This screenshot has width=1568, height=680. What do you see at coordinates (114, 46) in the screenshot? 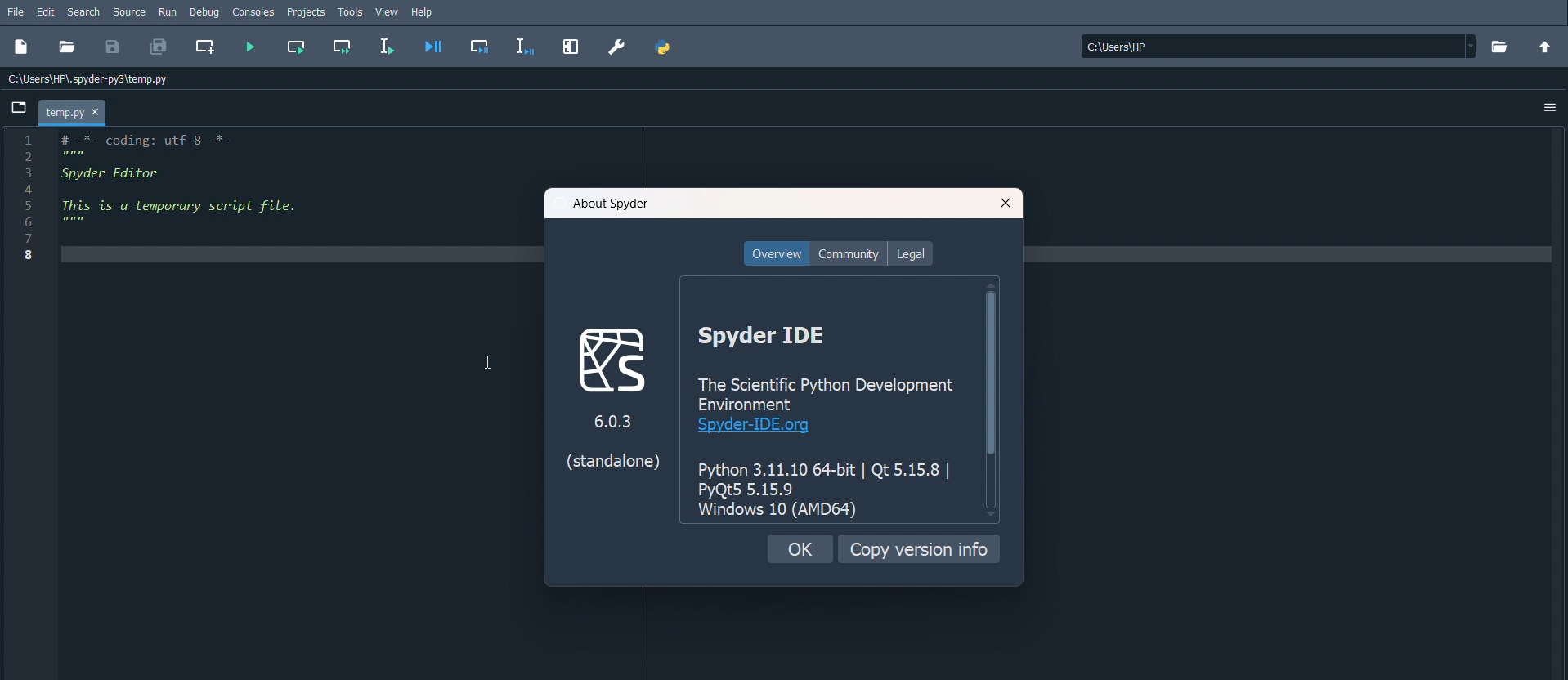
I see `Save file` at bounding box center [114, 46].